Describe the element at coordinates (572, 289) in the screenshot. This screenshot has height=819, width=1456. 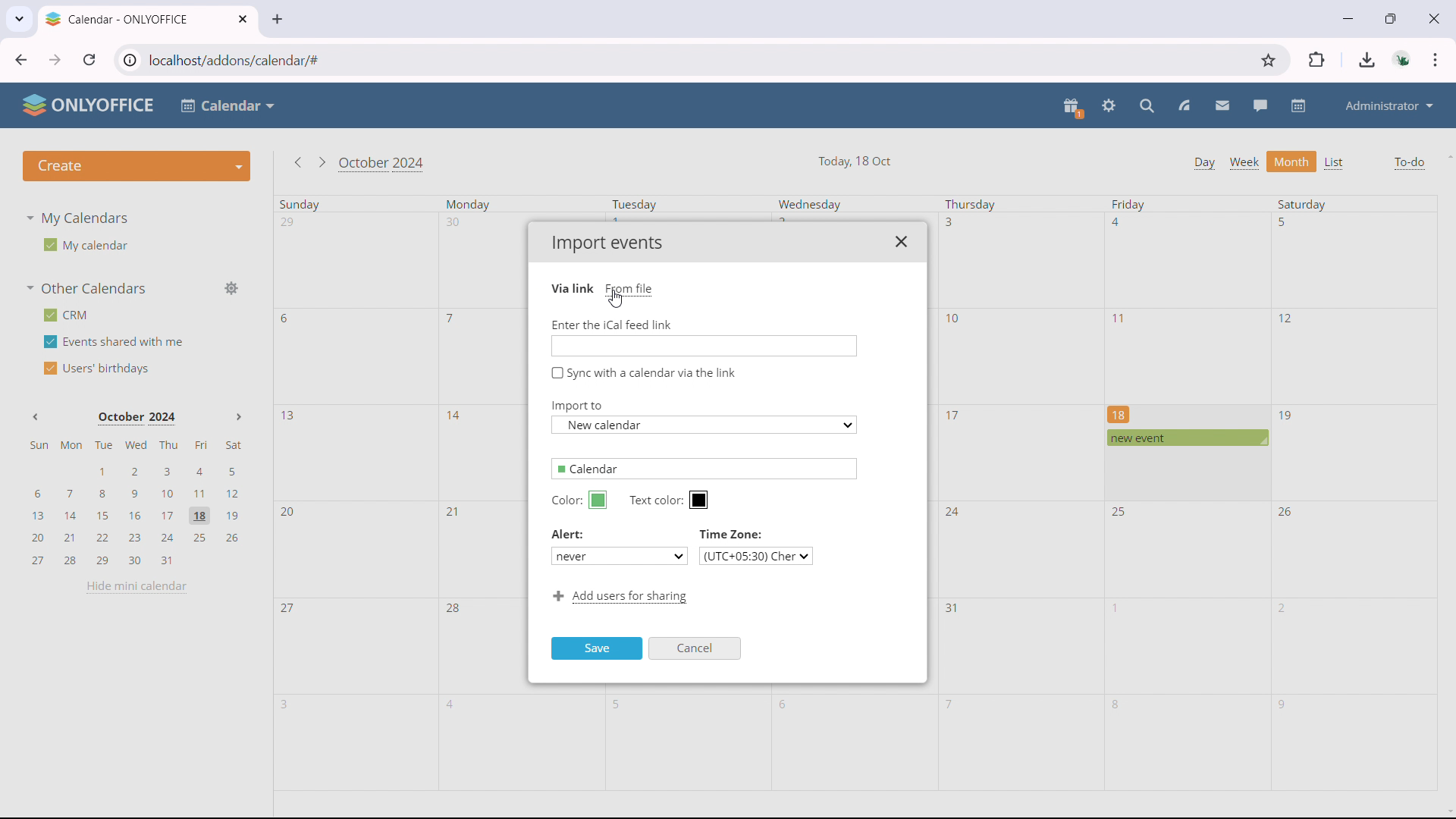
I see `Via link` at that location.